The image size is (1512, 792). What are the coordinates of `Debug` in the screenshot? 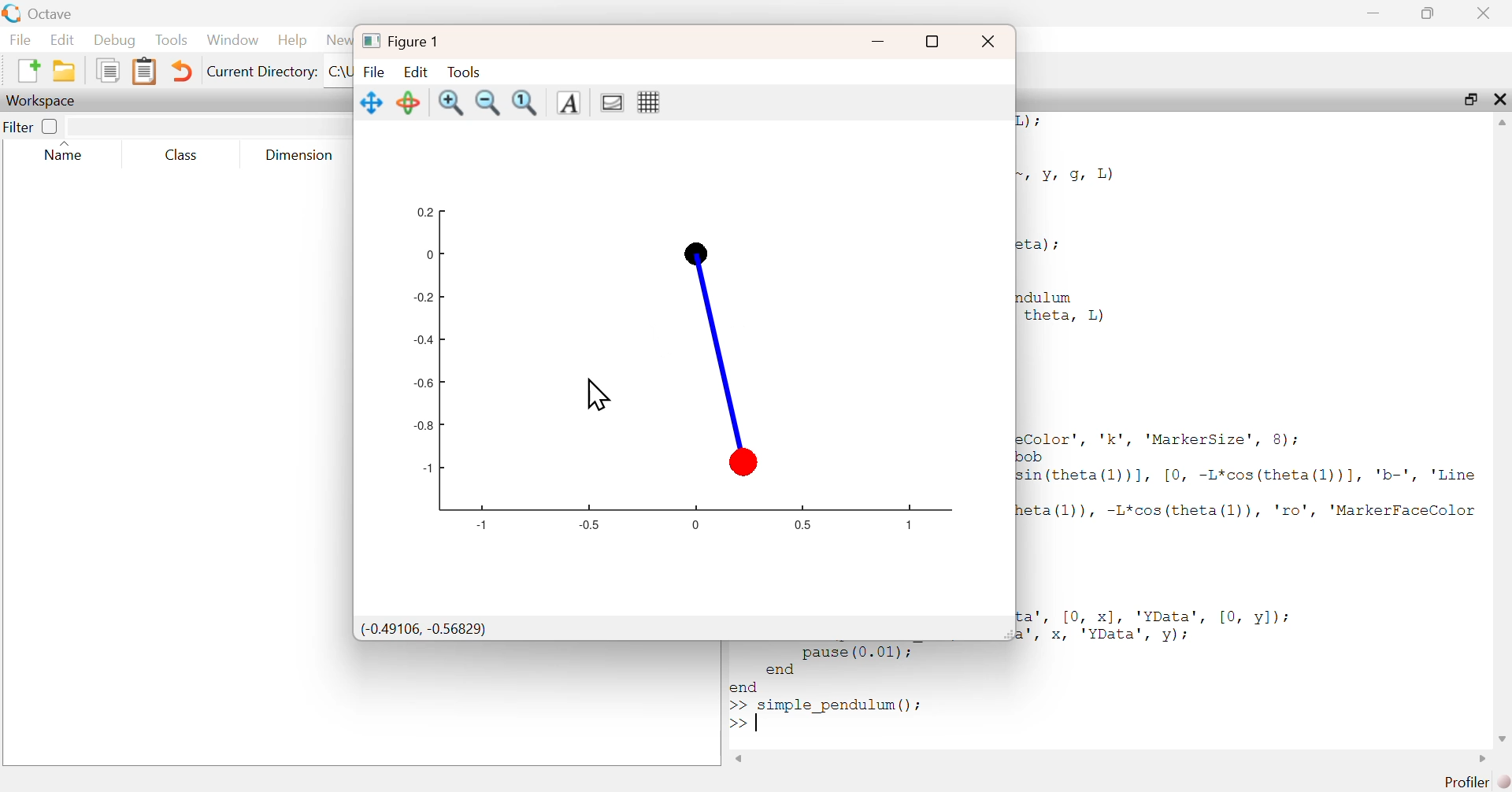 It's located at (113, 41).